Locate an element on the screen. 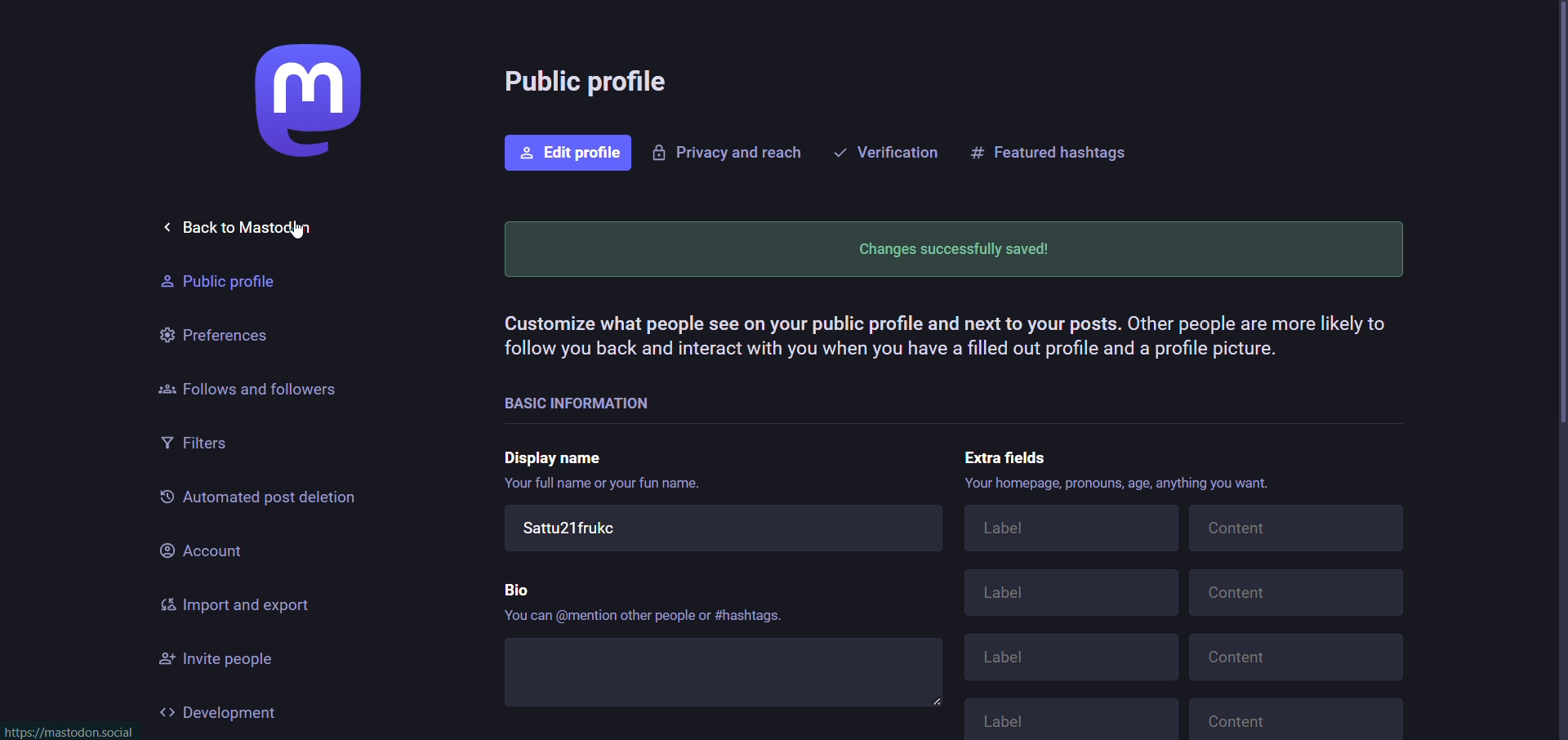  Label is located at coordinates (1075, 716).